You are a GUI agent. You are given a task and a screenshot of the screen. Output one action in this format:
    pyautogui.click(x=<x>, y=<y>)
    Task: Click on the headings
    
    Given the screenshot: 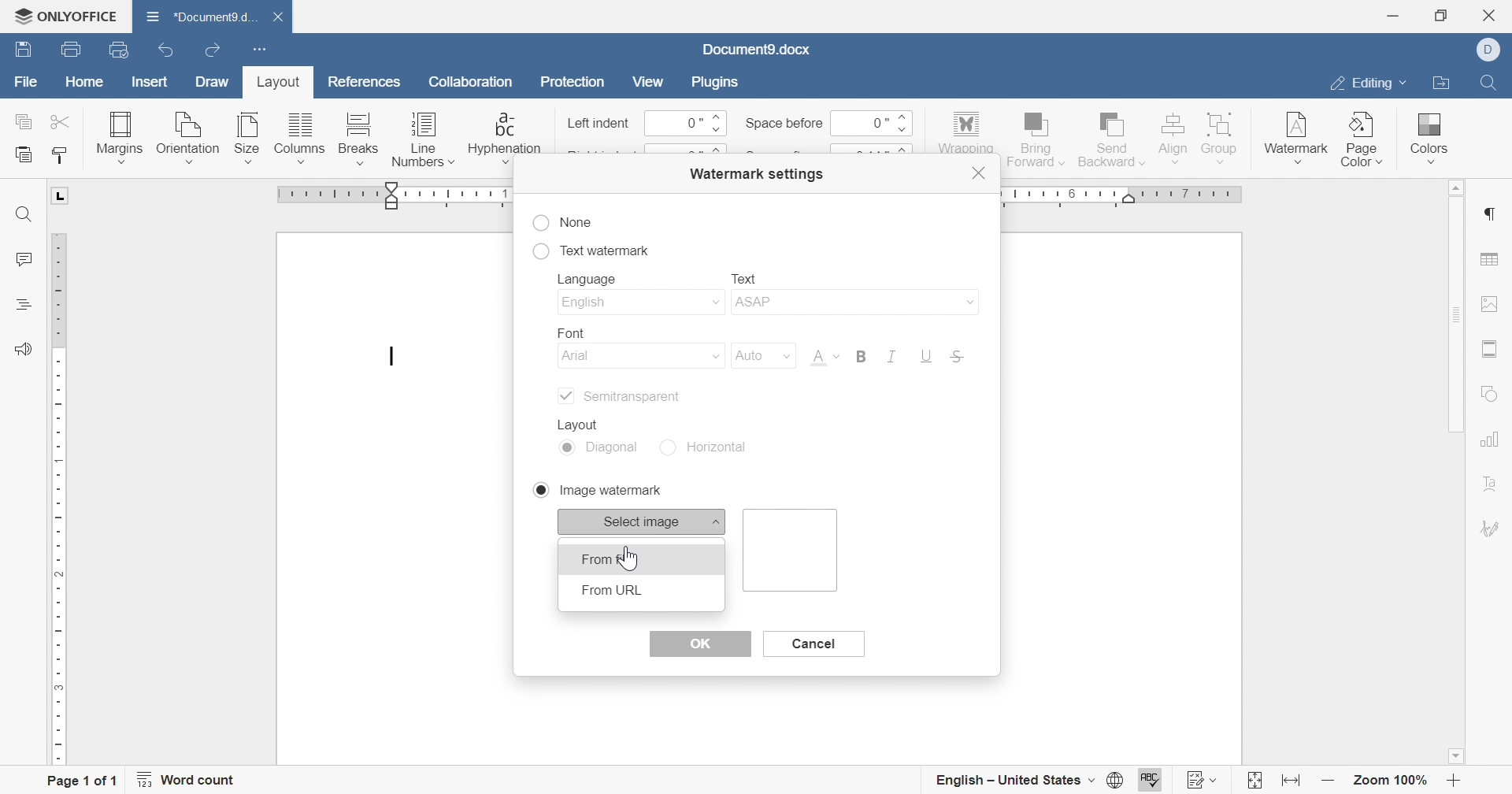 What is the action you would take?
    pyautogui.click(x=21, y=304)
    